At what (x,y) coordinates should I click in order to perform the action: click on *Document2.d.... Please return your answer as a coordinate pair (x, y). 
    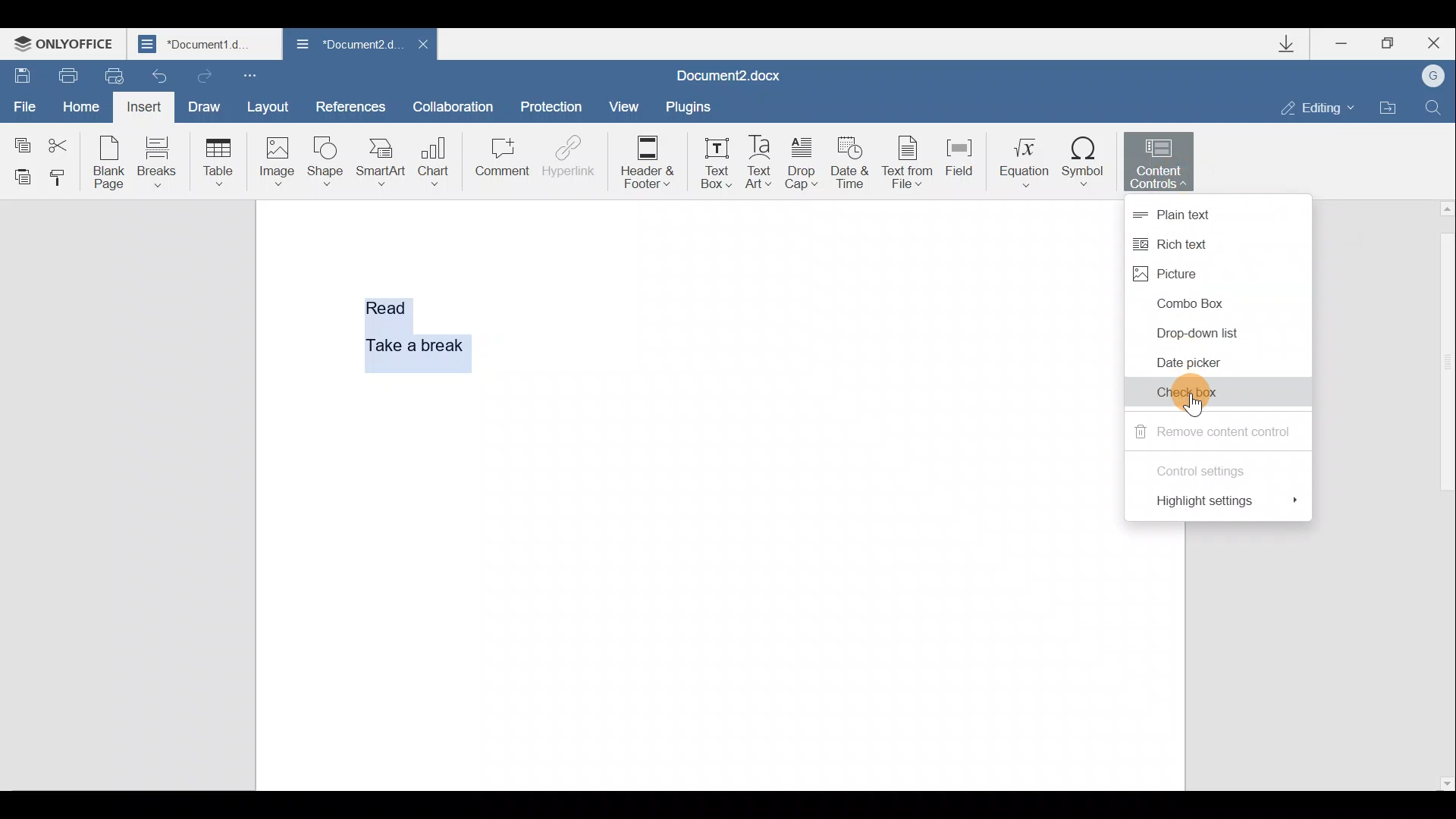
    Looking at the image, I should click on (345, 45).